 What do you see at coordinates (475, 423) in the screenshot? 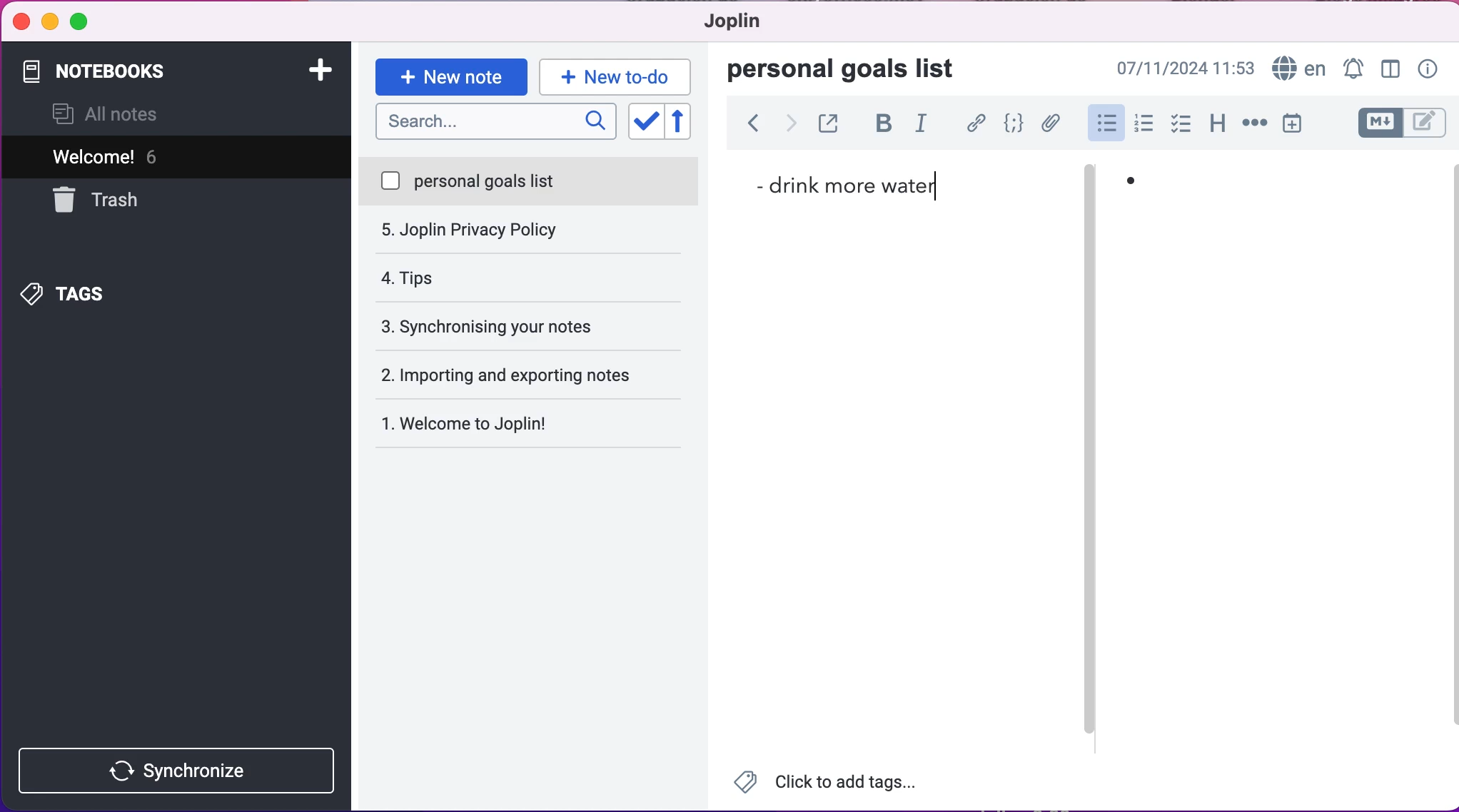
I see `Welcome to Joplin!` at bounding box center [475, 423].